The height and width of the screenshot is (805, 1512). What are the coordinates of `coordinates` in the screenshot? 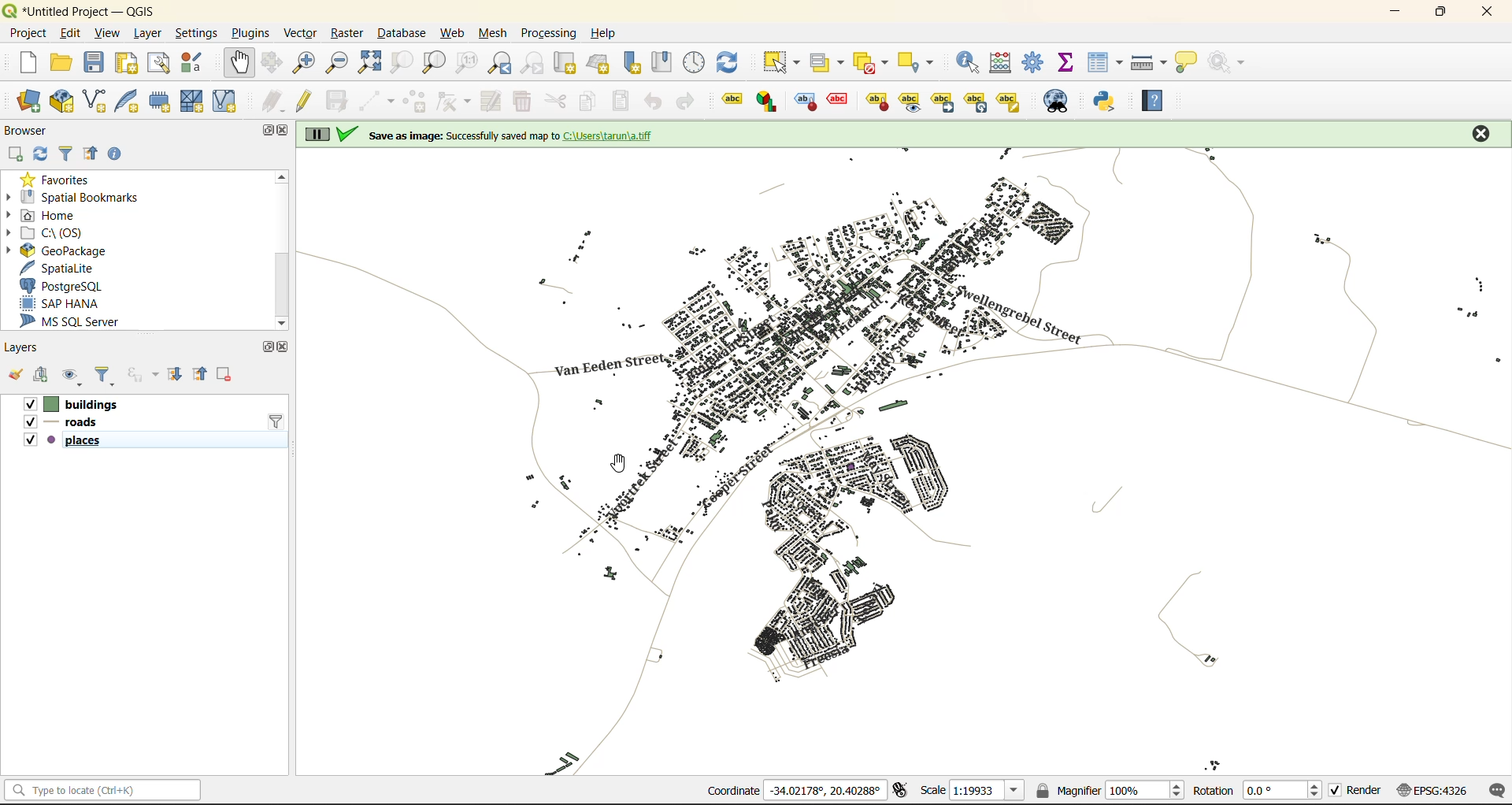 It's located at (795, 792).